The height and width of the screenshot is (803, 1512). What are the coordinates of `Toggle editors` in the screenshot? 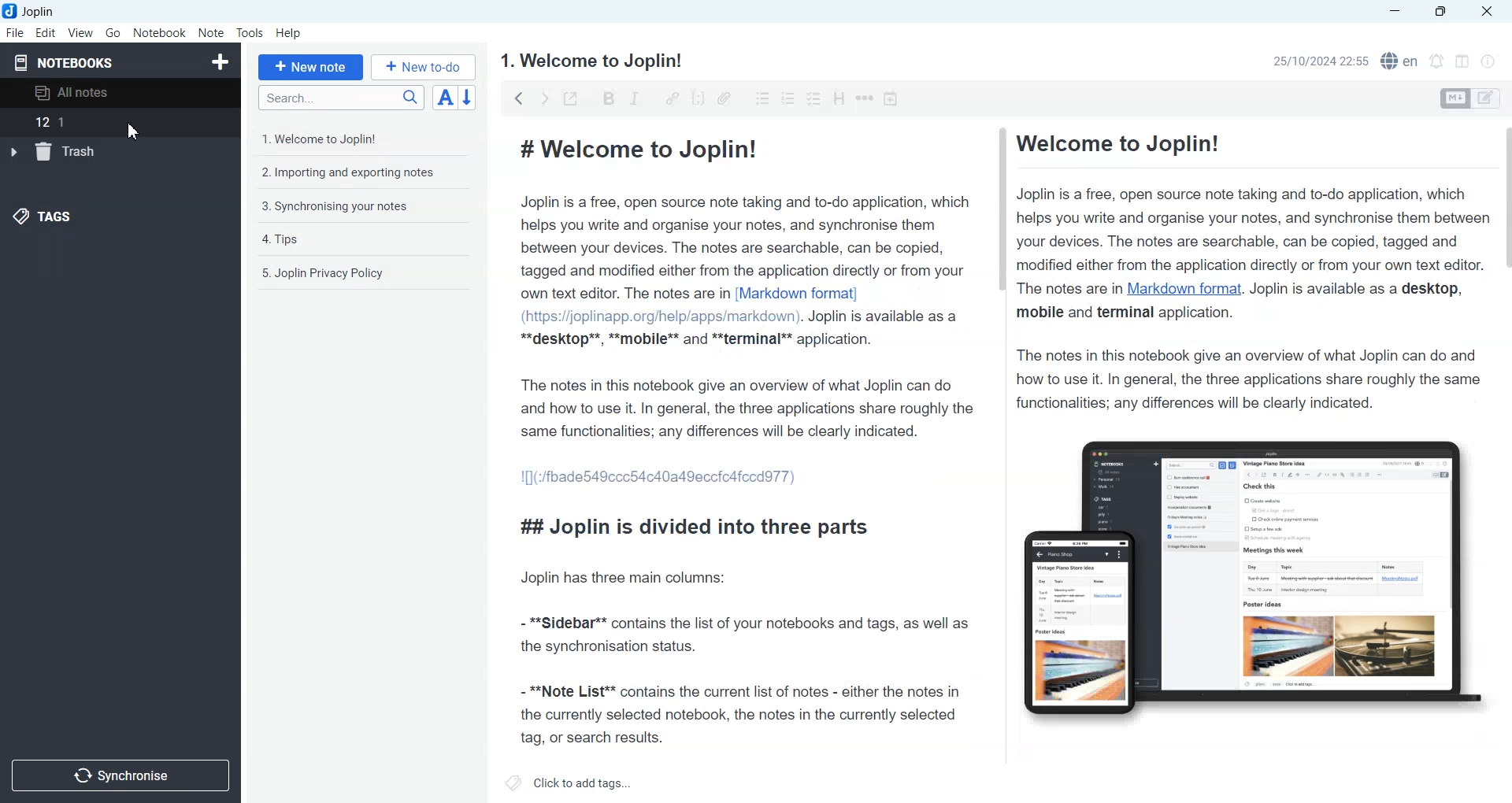 It's located at (1488, 99).